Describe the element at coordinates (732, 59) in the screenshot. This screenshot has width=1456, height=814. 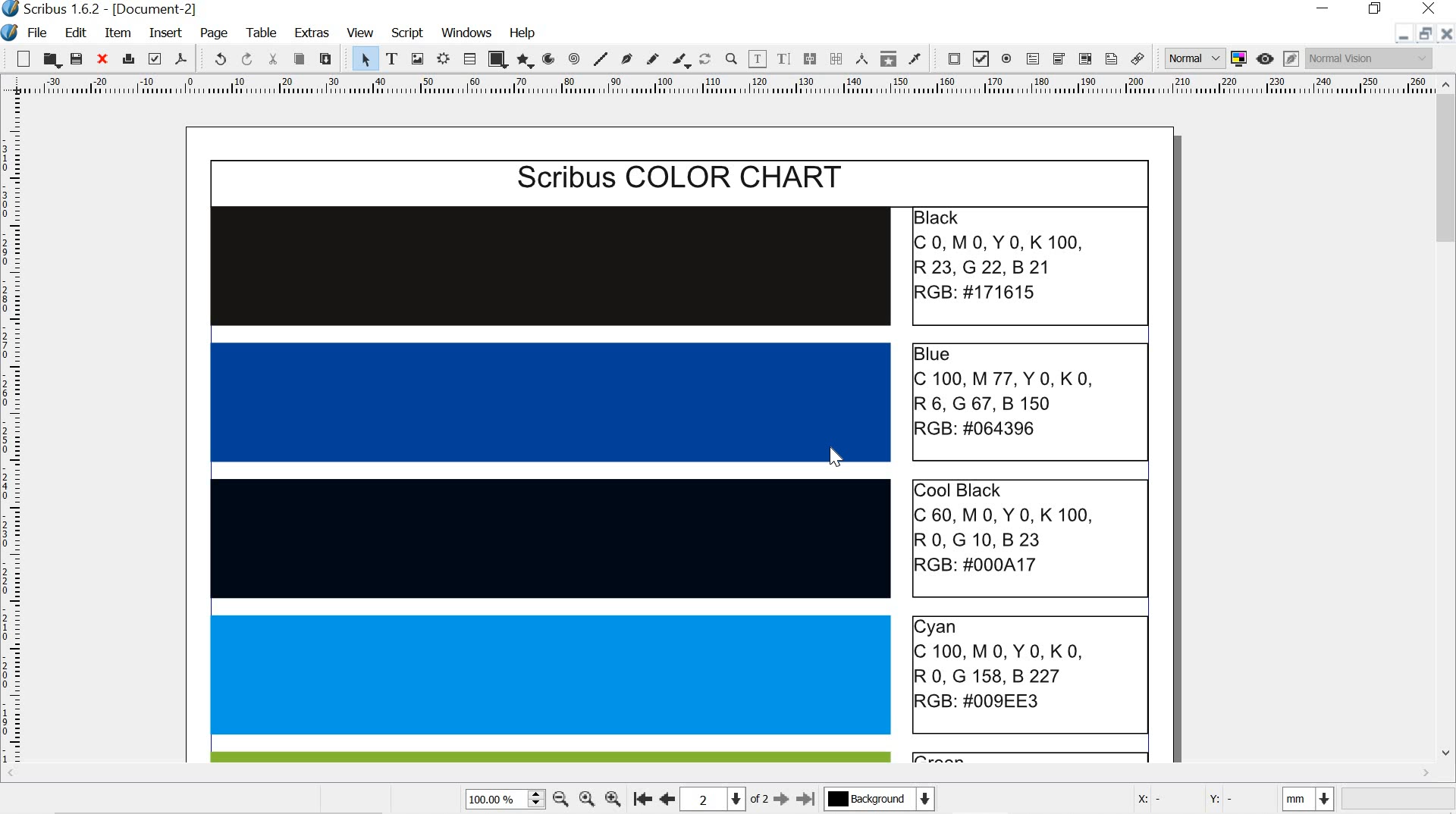
I see `zoom in or out` at that location.